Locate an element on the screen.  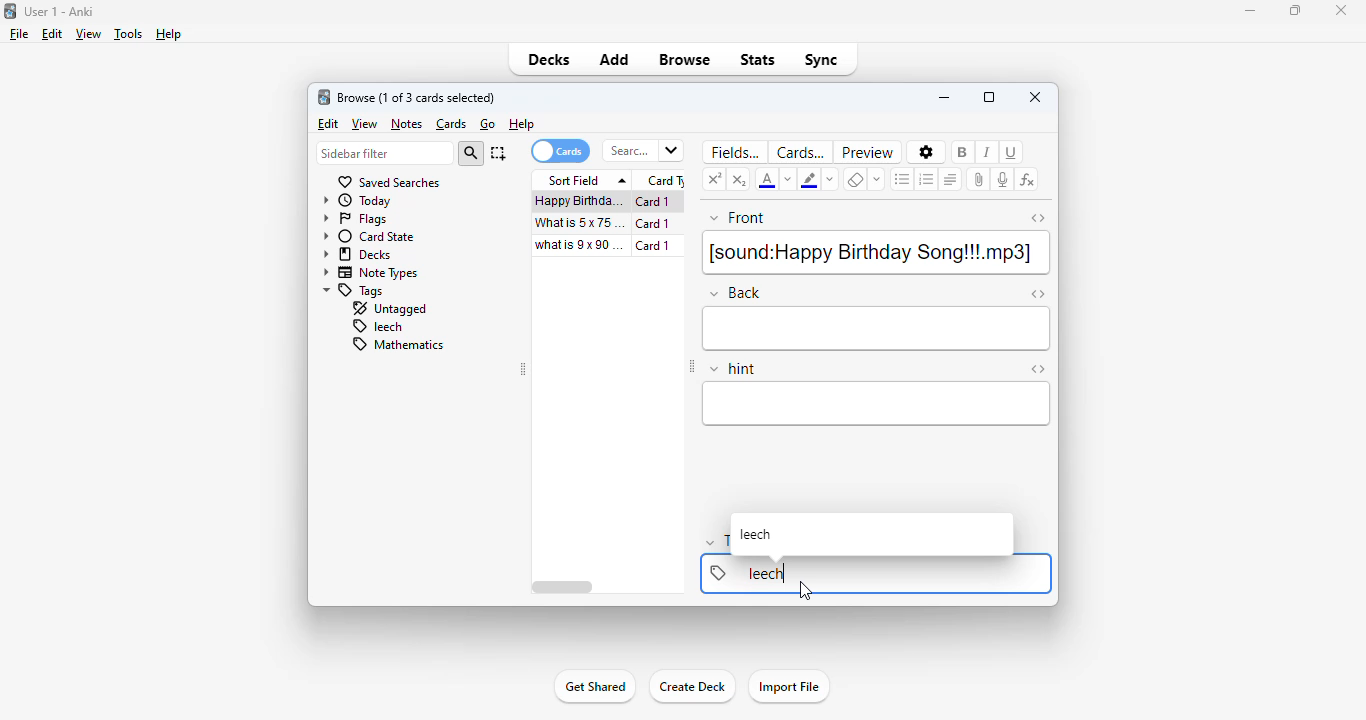
toggle HTML editor is located at coordinates (1037, 369).